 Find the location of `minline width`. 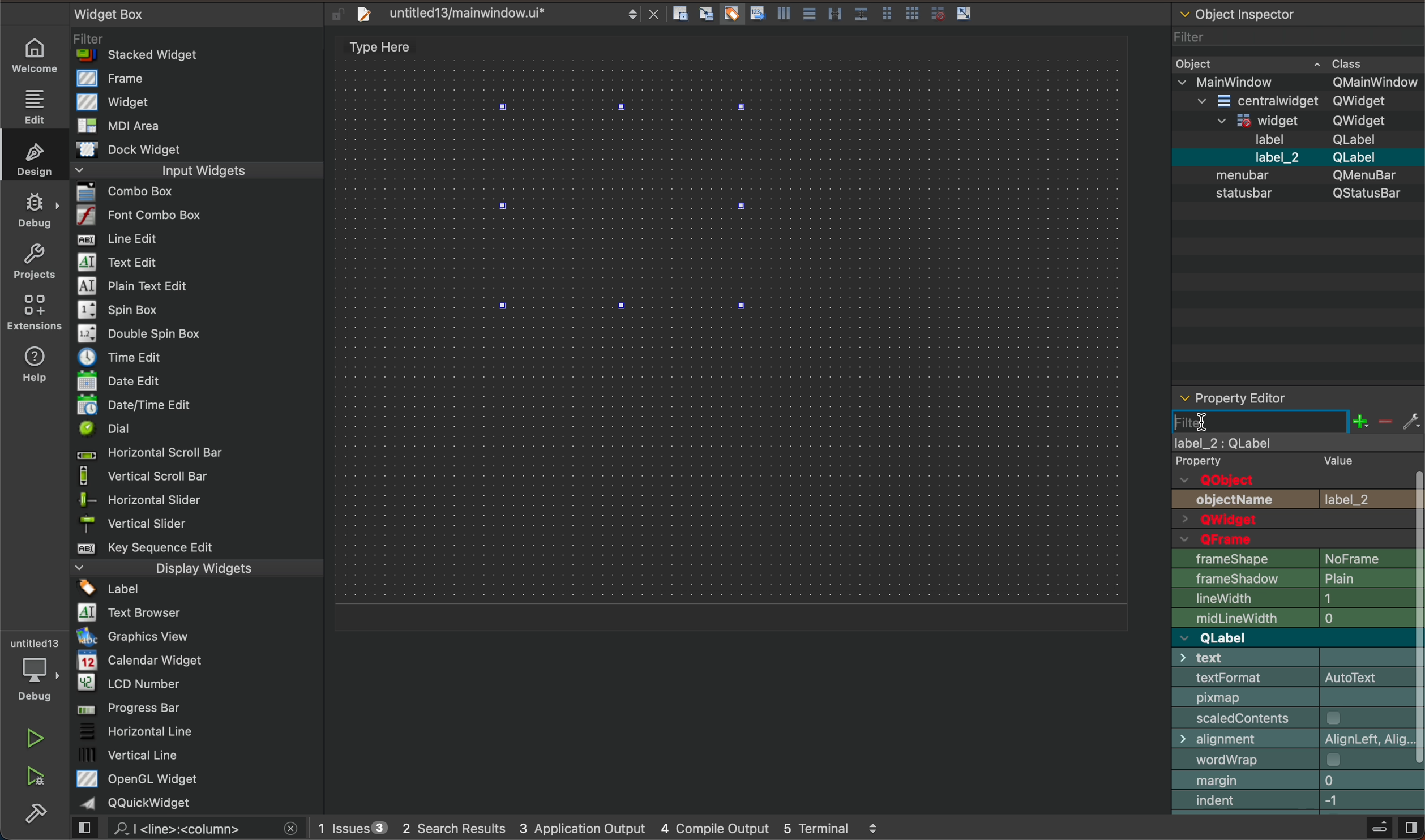

minline width is located at coordinates (1299, 618).